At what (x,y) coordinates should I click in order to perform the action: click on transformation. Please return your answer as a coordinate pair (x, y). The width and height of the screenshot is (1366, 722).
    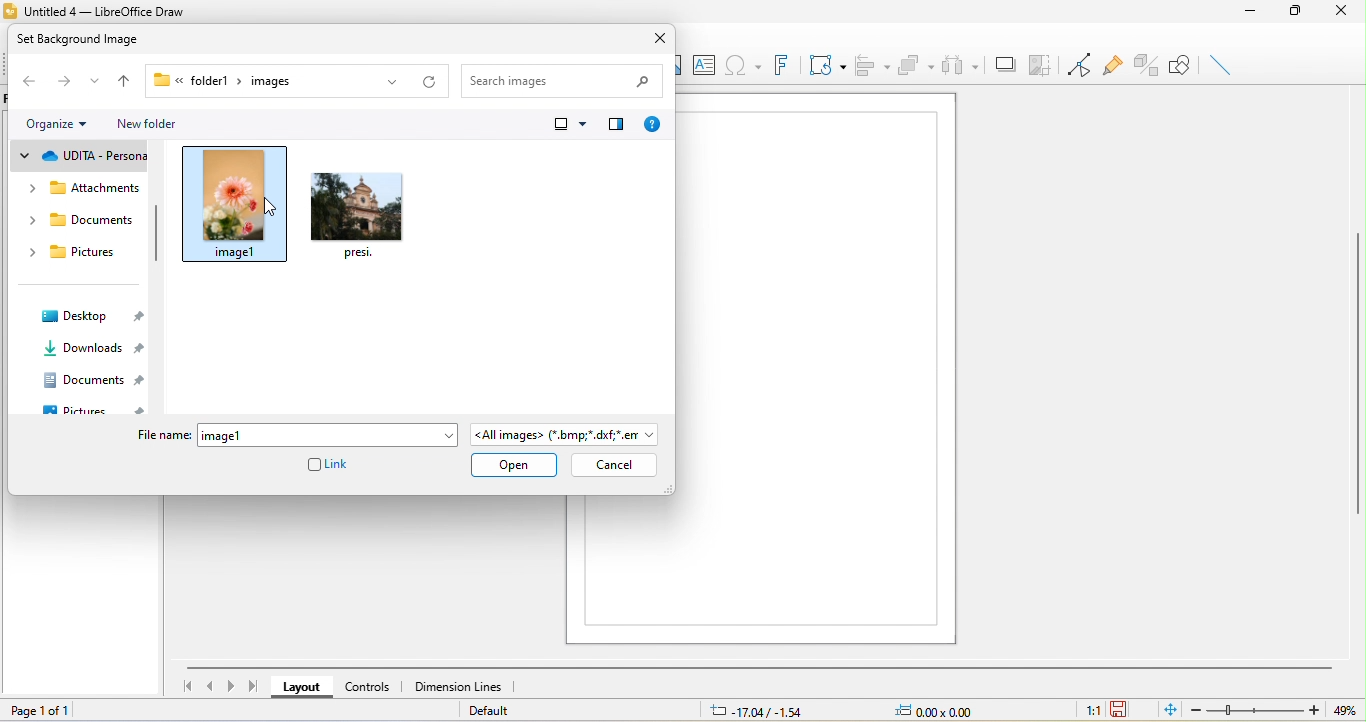
    Looking at the image, I should click on (829, 65).